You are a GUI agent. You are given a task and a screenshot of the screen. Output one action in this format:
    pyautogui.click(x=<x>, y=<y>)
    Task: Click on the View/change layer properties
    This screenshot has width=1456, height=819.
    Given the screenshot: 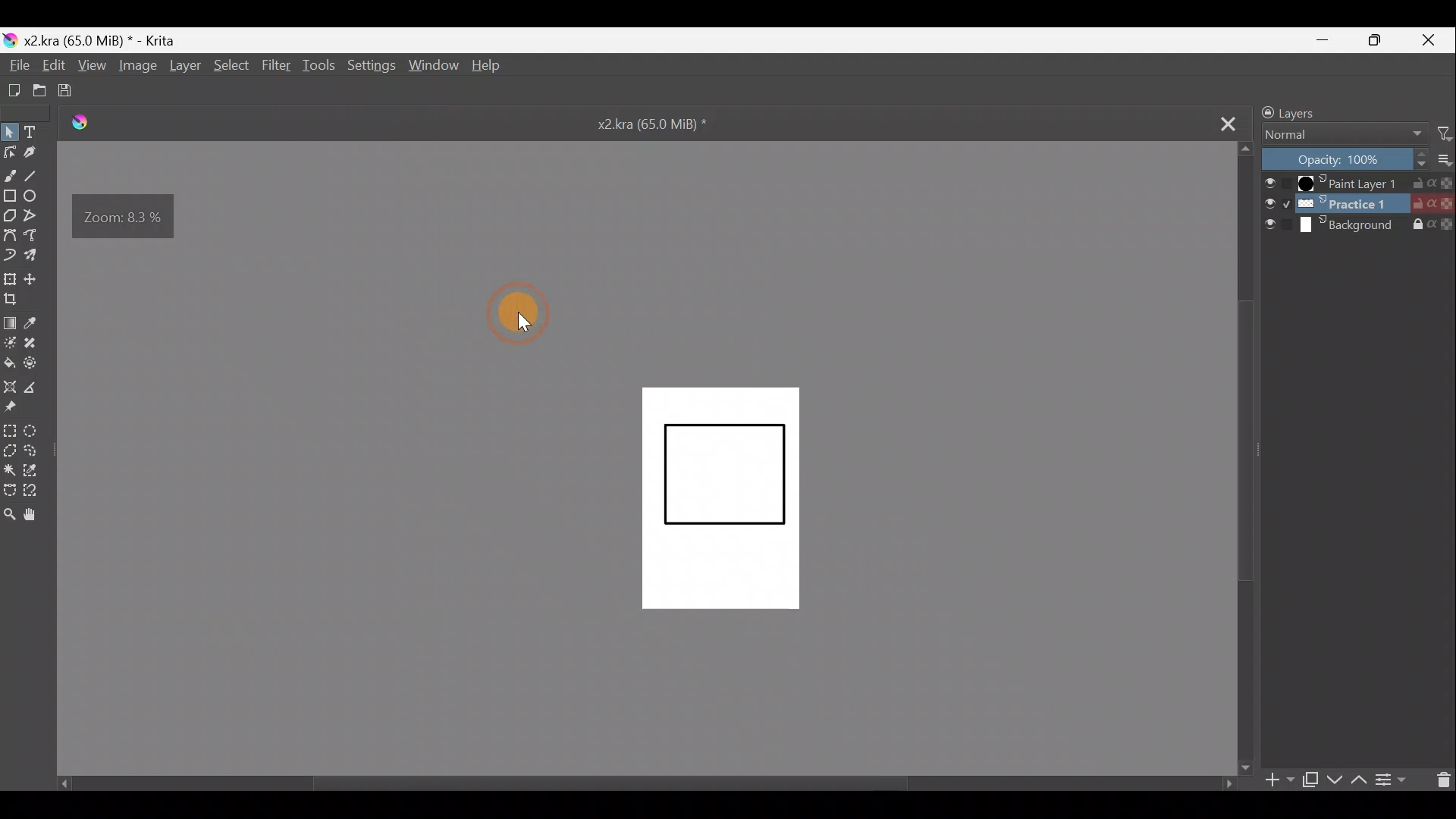 What is the action you would take?
    pyautogui.click(x=1392, y=777)
    